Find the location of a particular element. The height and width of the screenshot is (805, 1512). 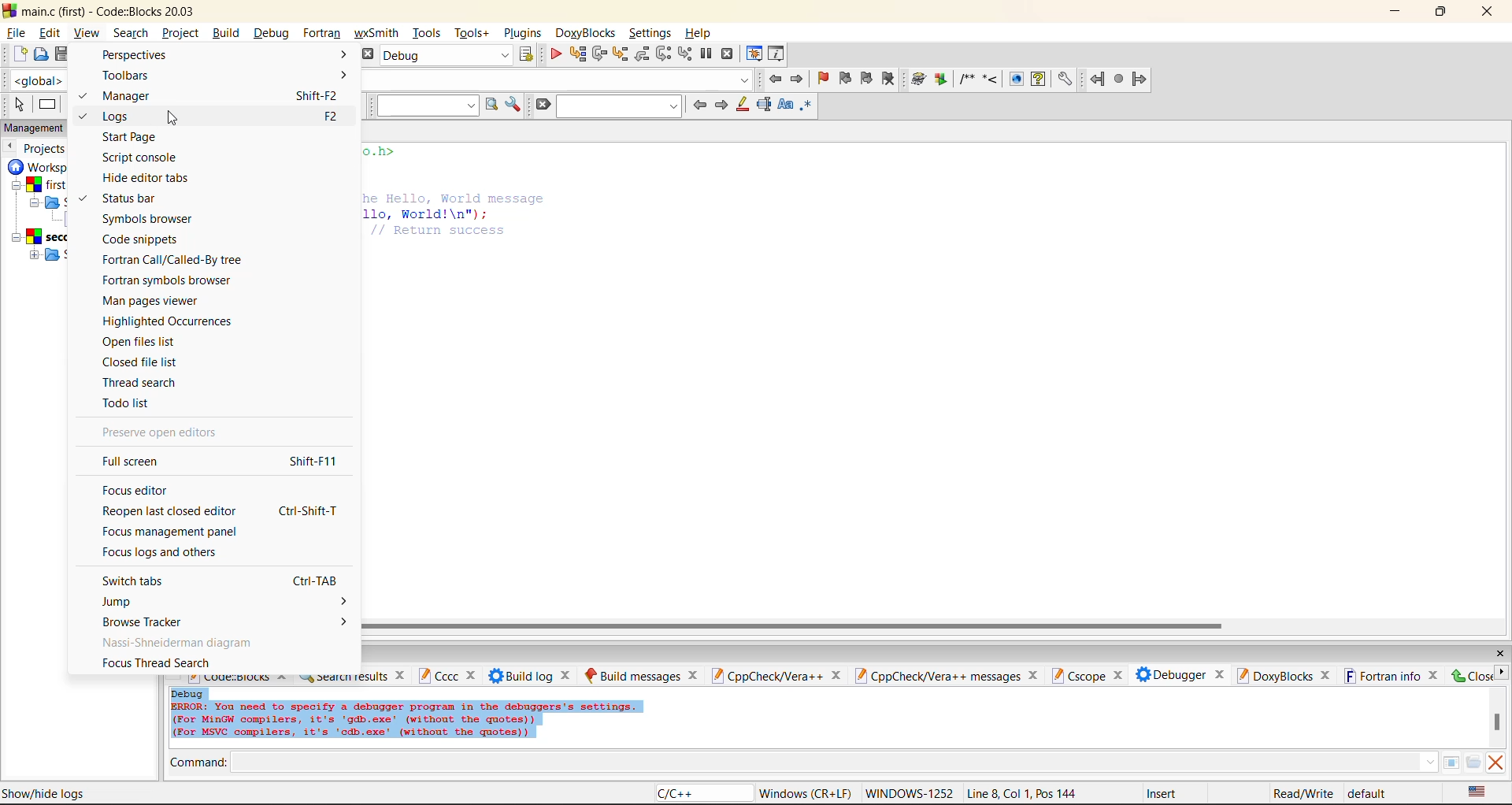

project is located at coordinates (183, 33).